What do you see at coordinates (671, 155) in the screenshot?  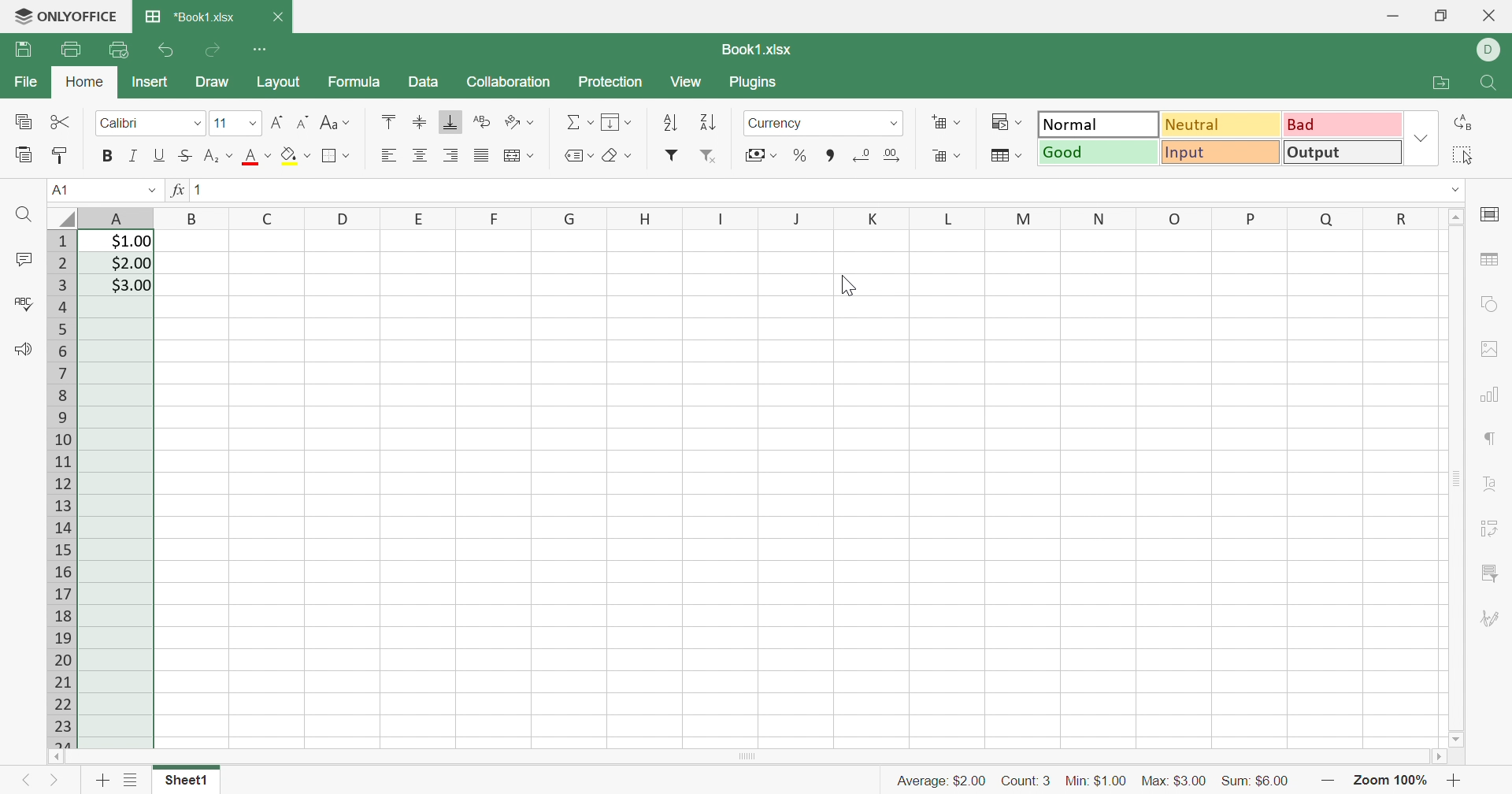 I see `Filter` at bounding box center [671, 155].